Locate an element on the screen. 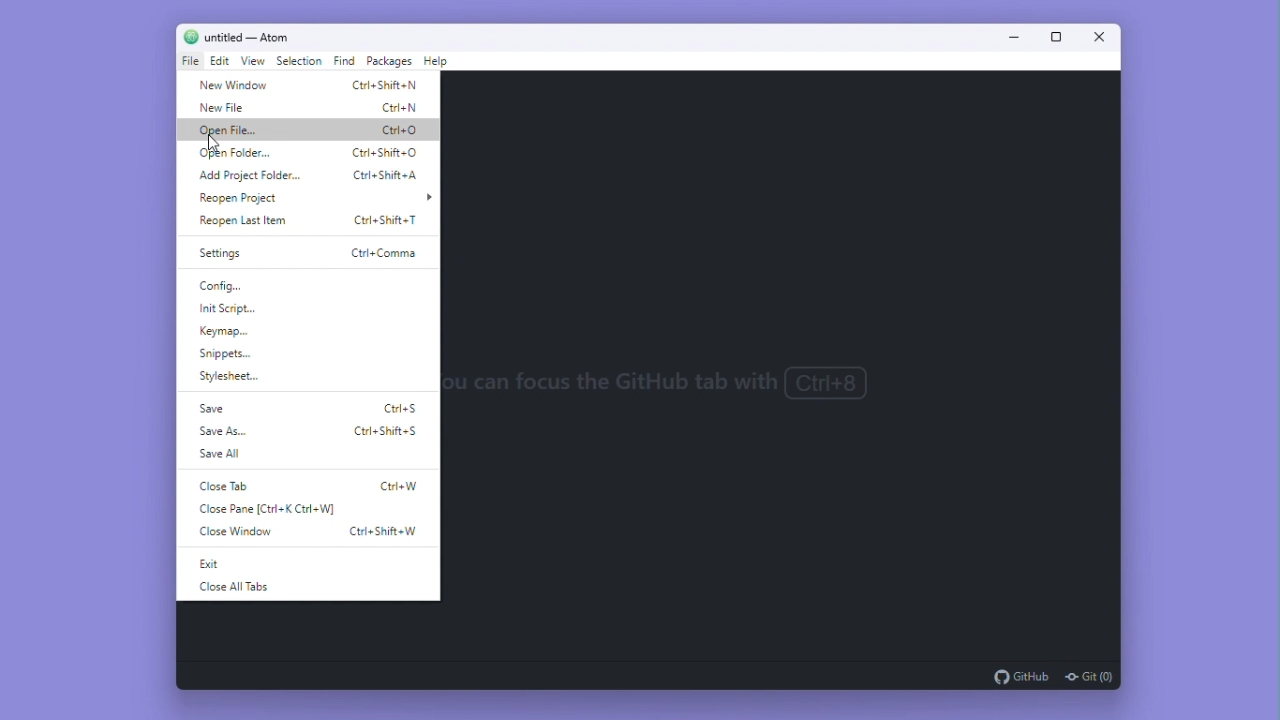 The height and width of the screenshot is (720, 1280). Exit is located at coordinates (217, 565).